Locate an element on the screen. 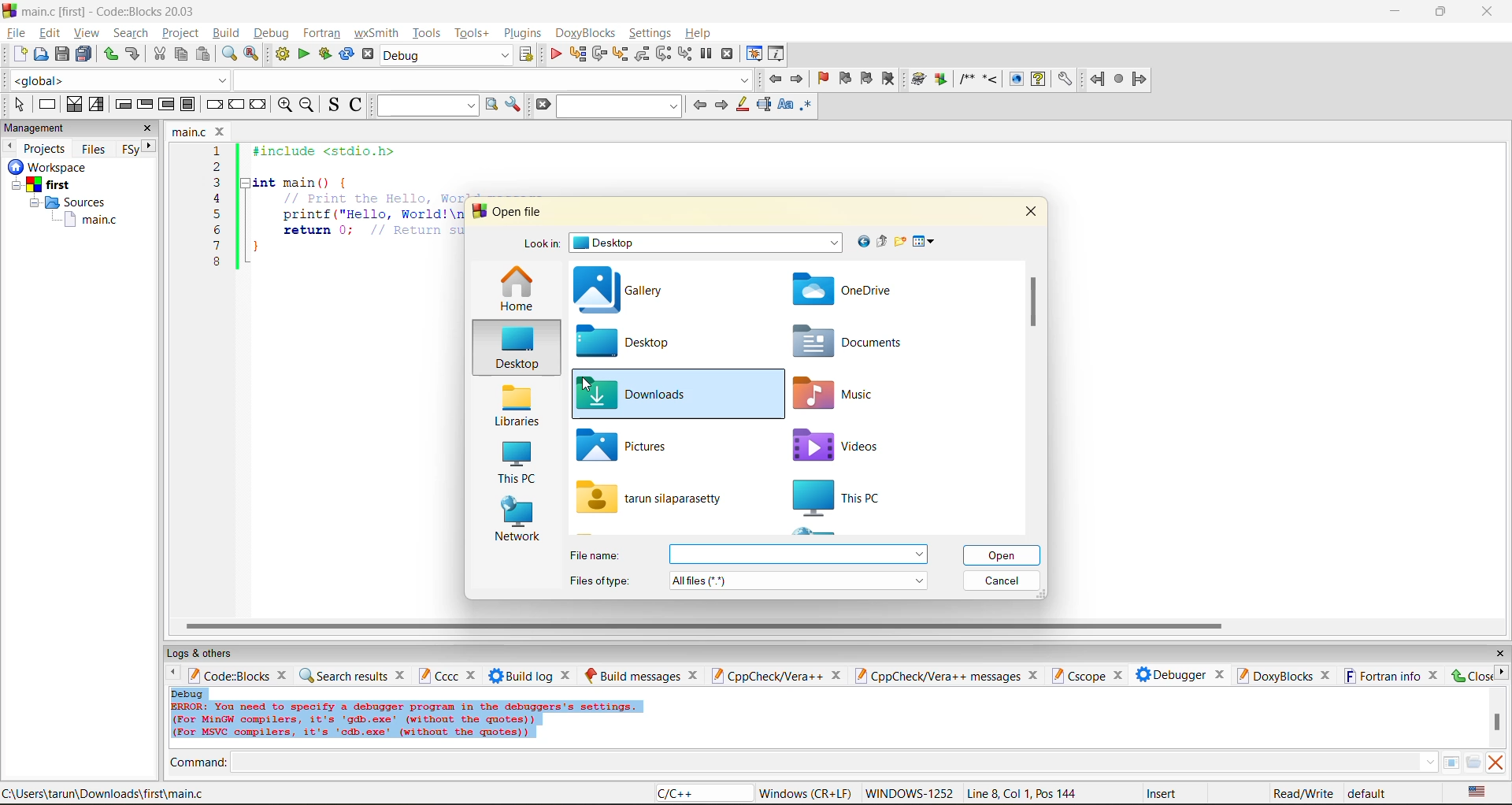 The height and width of the screenshot is (805, 1512). libraries is located at coordinates (515, 406).